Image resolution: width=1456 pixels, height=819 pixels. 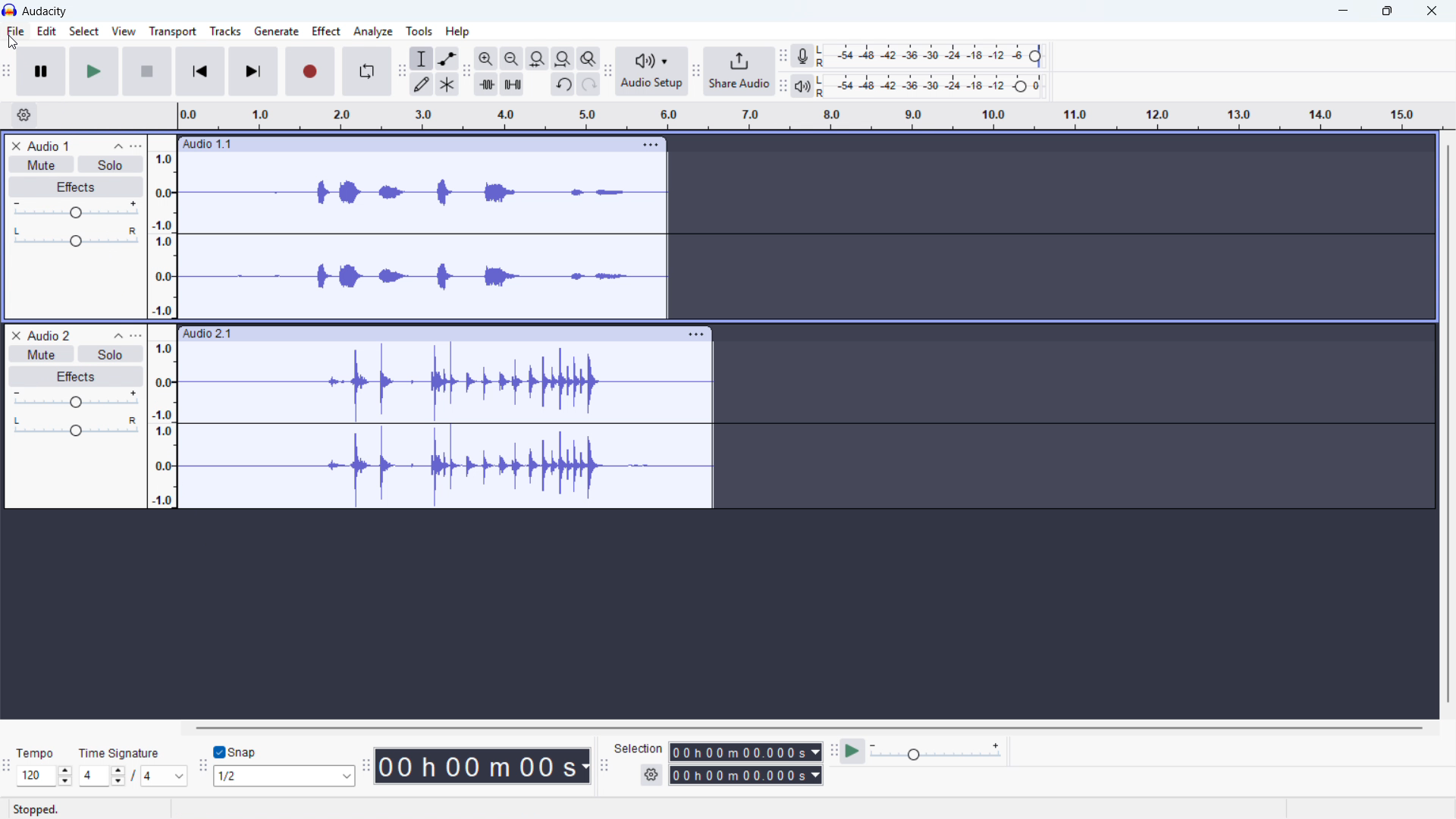 I want to click on Timeline , so click(x=811, y=116).